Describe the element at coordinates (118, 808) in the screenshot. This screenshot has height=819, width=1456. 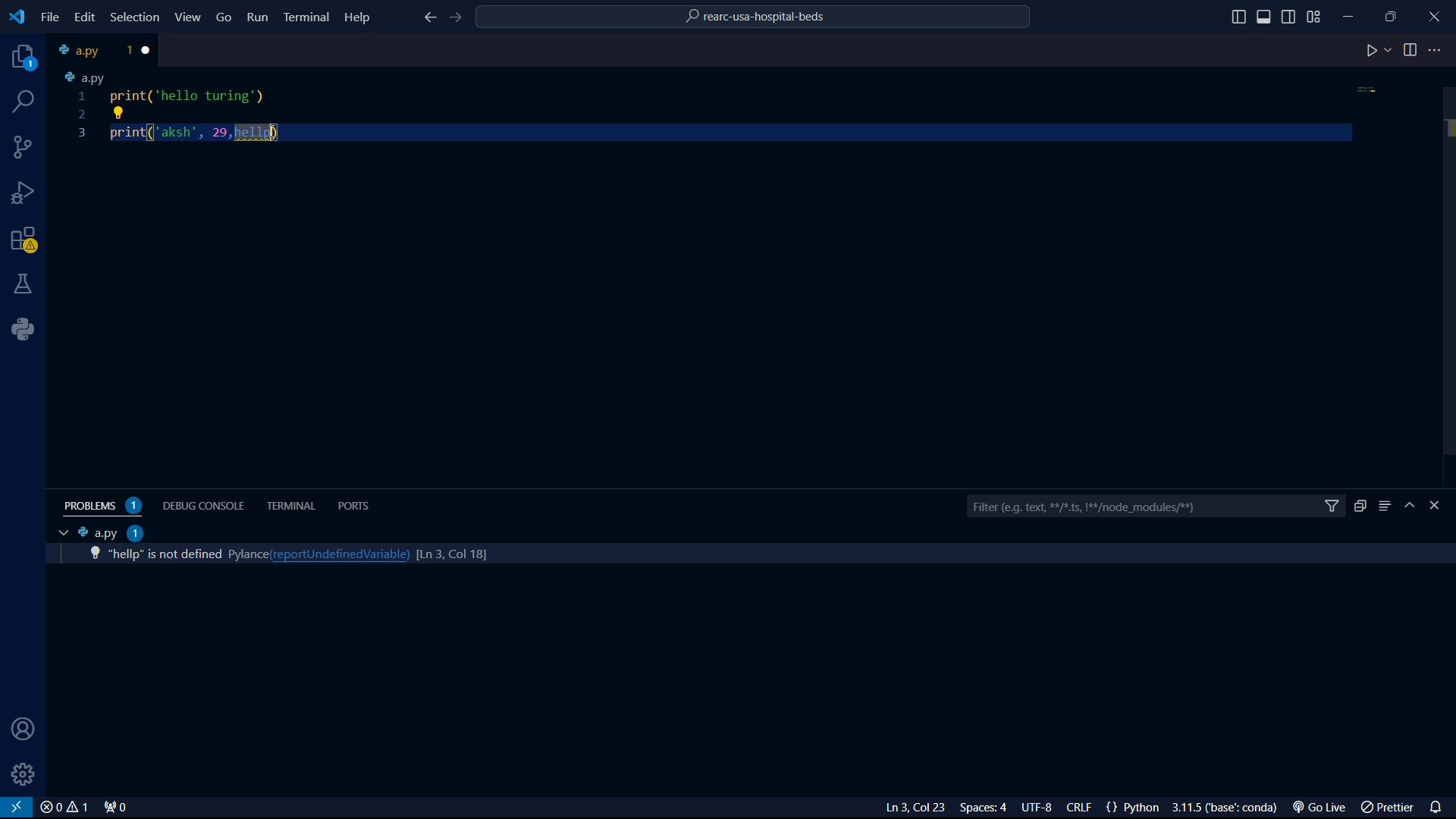
I see `connect 0` at that location.